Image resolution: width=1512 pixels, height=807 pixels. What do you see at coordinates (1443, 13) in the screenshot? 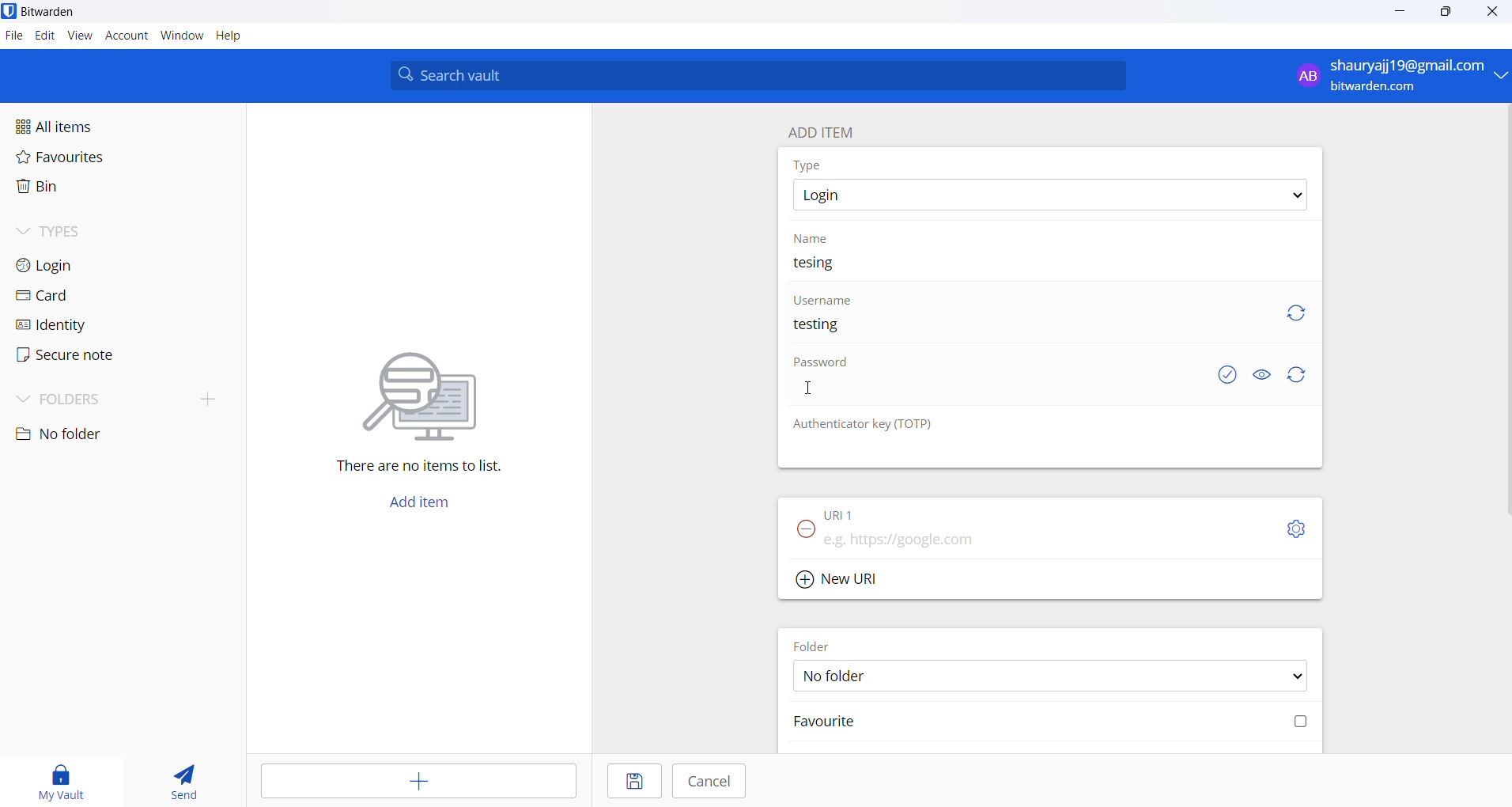
I see `maximize` at bounding box center [1443, 13].